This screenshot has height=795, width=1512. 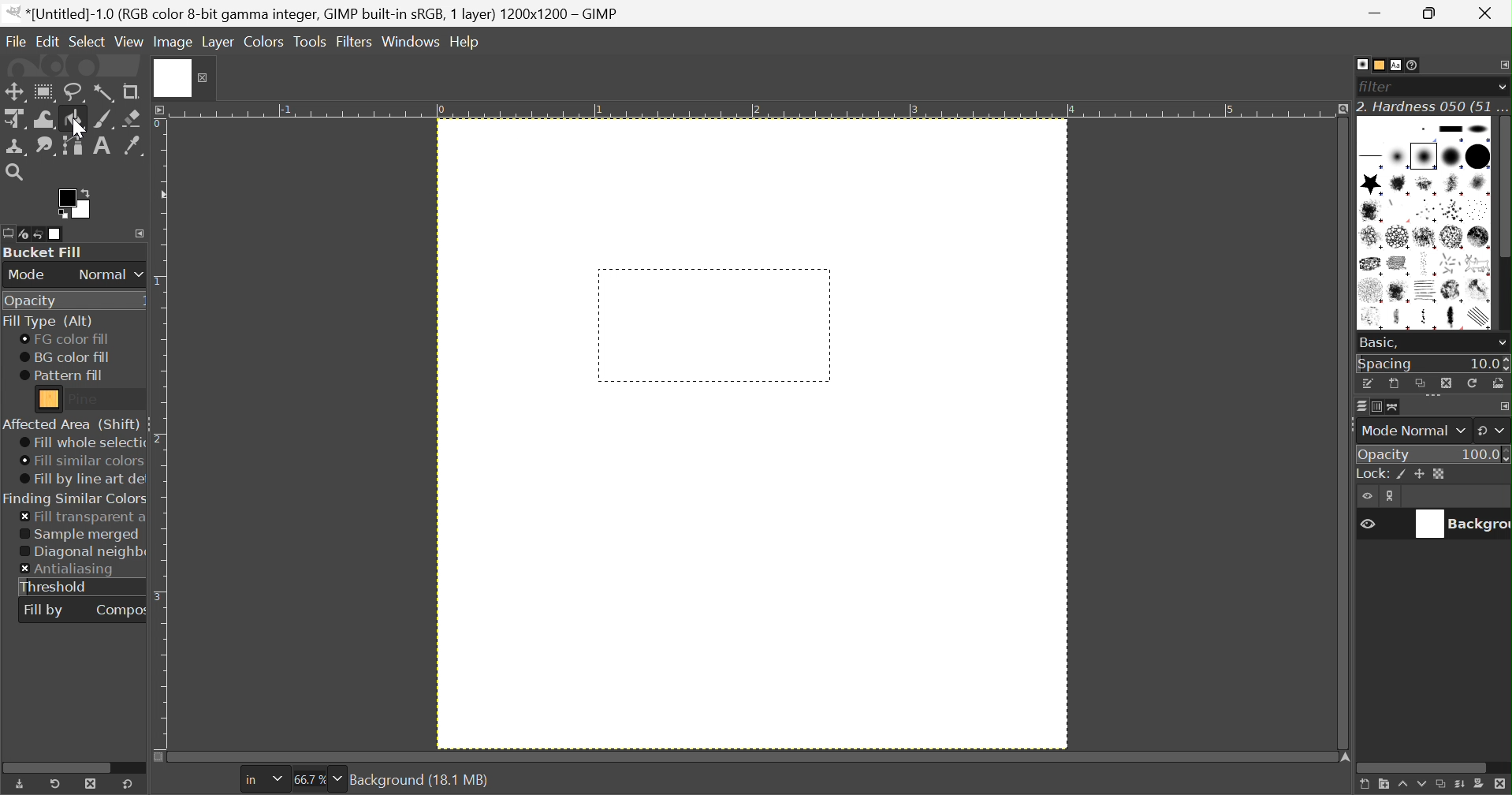 What do you see at coordinates (1451, 156) in the screenshot?
I see `Hardness 050` at bounding box center [1451, 156].